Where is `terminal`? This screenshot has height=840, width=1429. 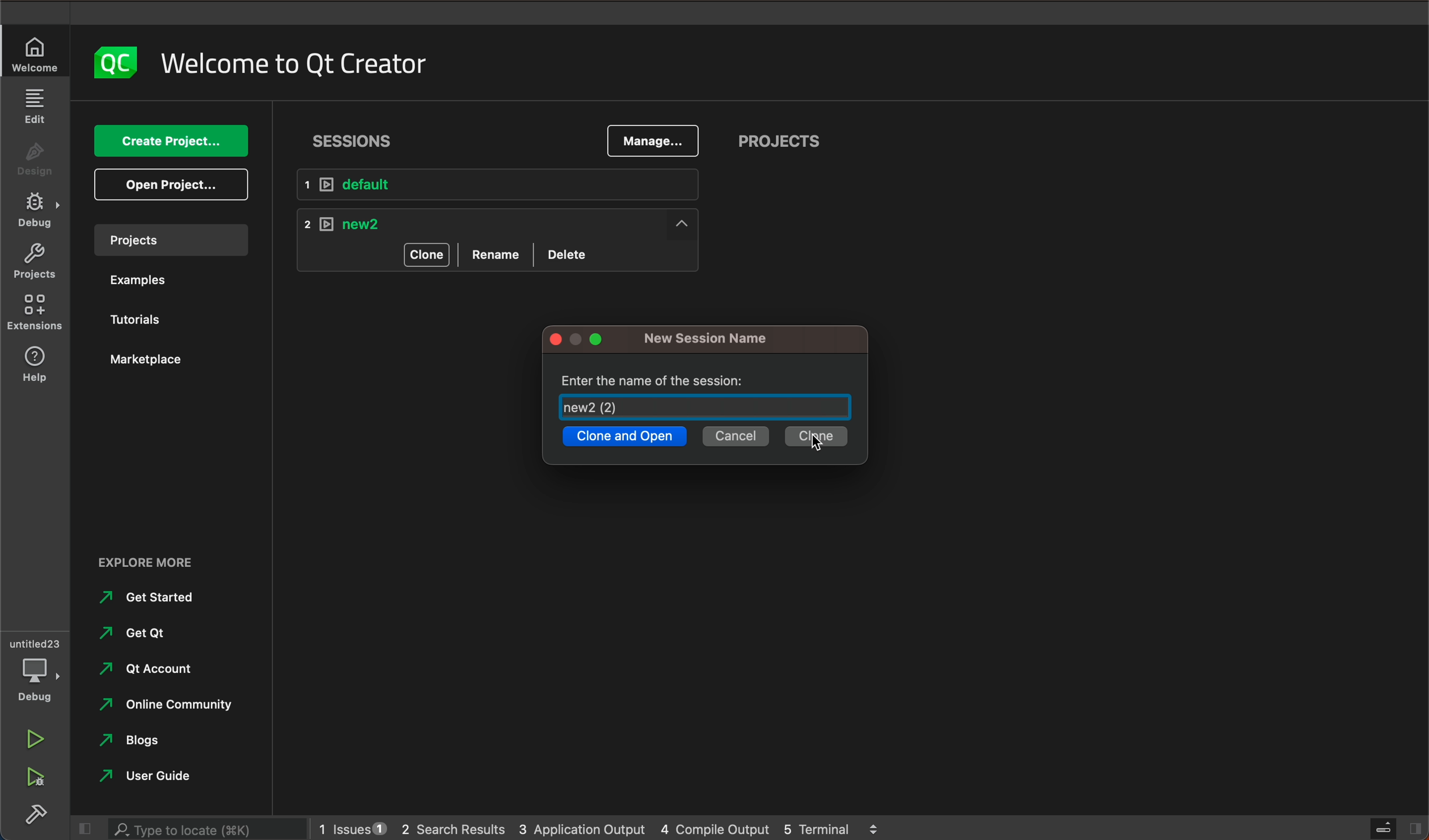
terminal is located at coordinates (834, 826).